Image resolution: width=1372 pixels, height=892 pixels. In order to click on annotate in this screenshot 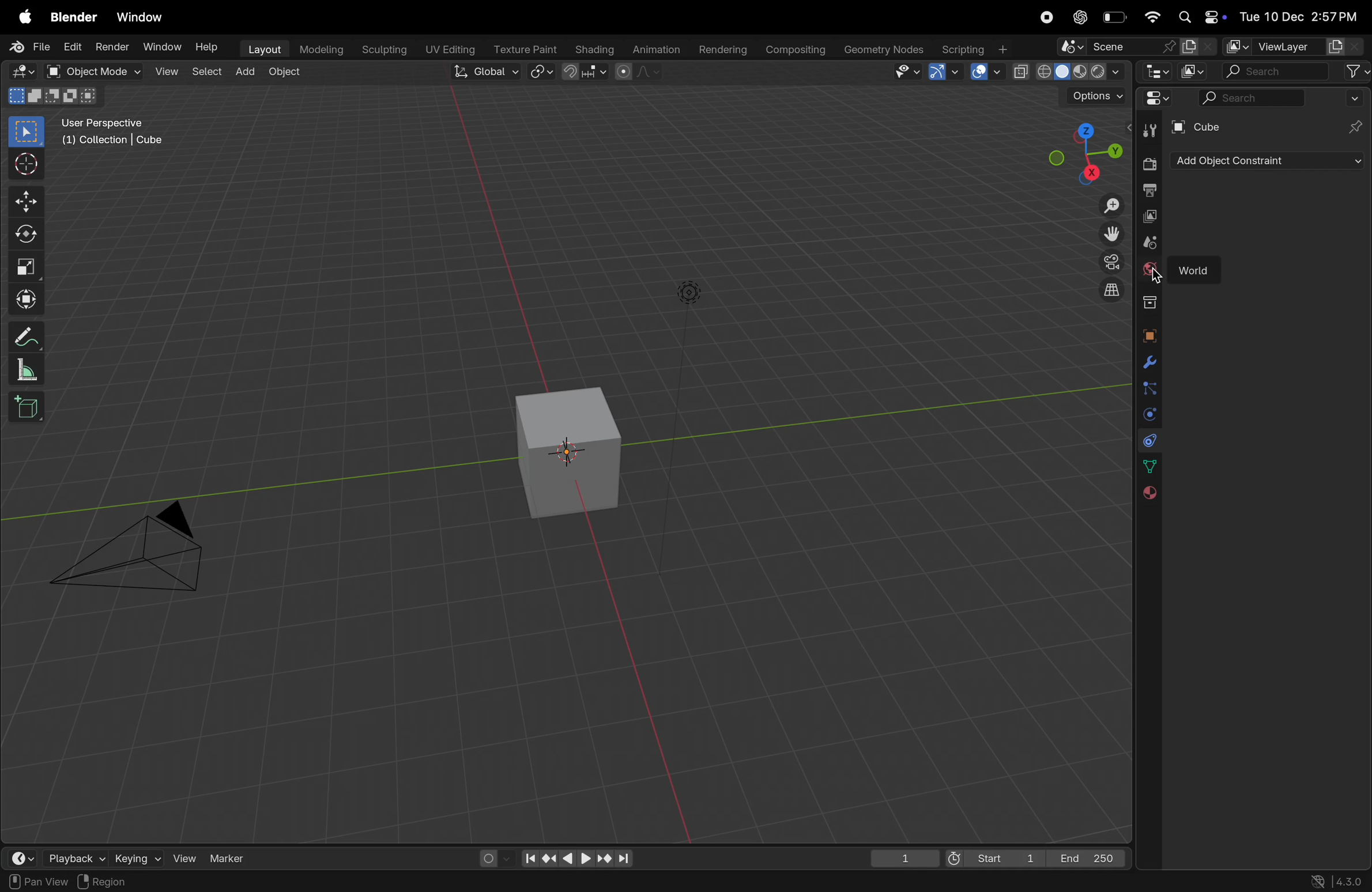, I will do `click(25, 334)`.